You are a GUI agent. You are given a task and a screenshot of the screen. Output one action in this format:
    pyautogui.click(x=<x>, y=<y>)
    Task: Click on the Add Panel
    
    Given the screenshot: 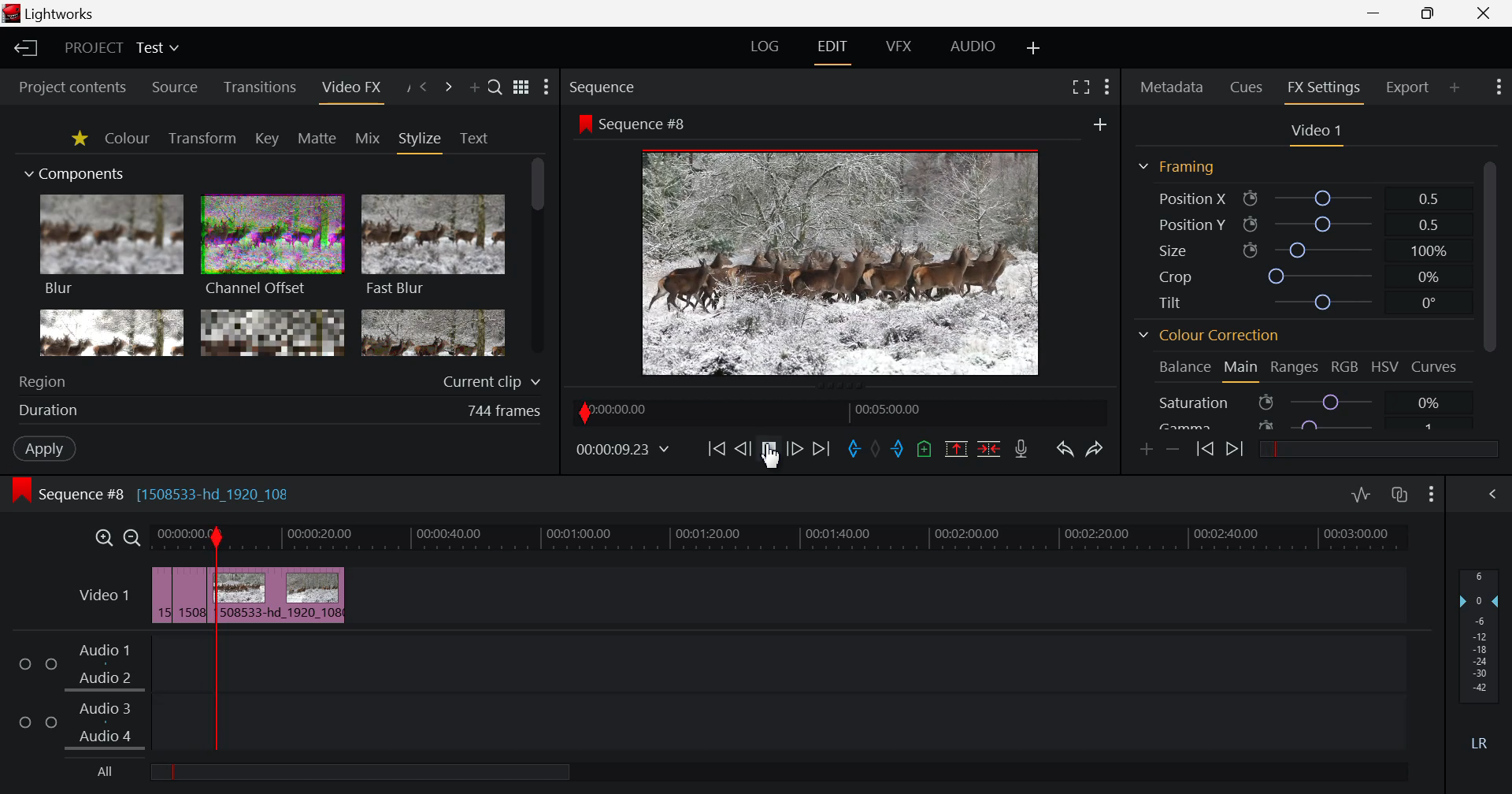 What is the action you would take?
    pyautogui.click(x=1455, y=86)
    